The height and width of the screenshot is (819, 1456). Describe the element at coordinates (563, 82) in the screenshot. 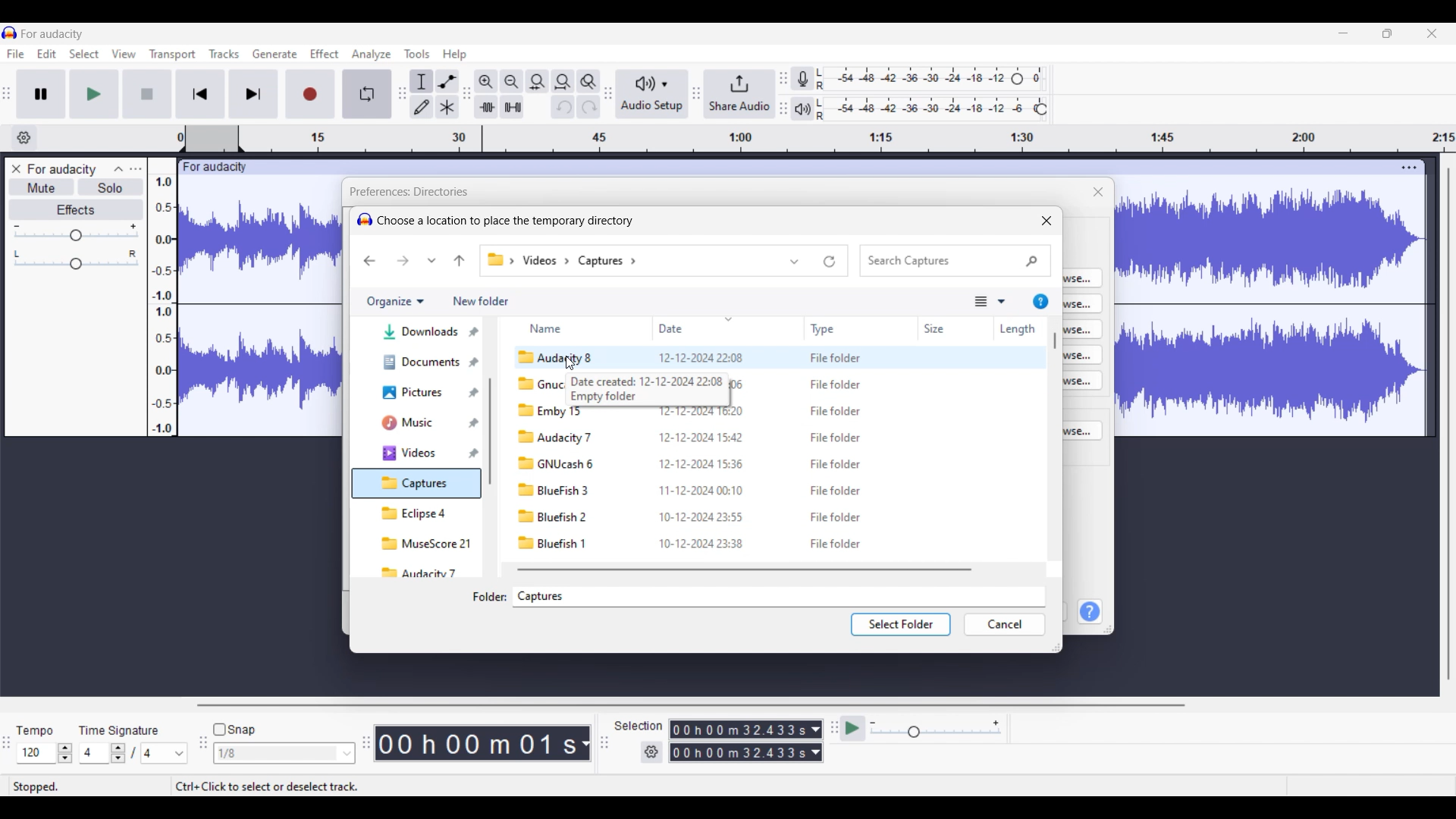

I see `Fit project to width` at that location.